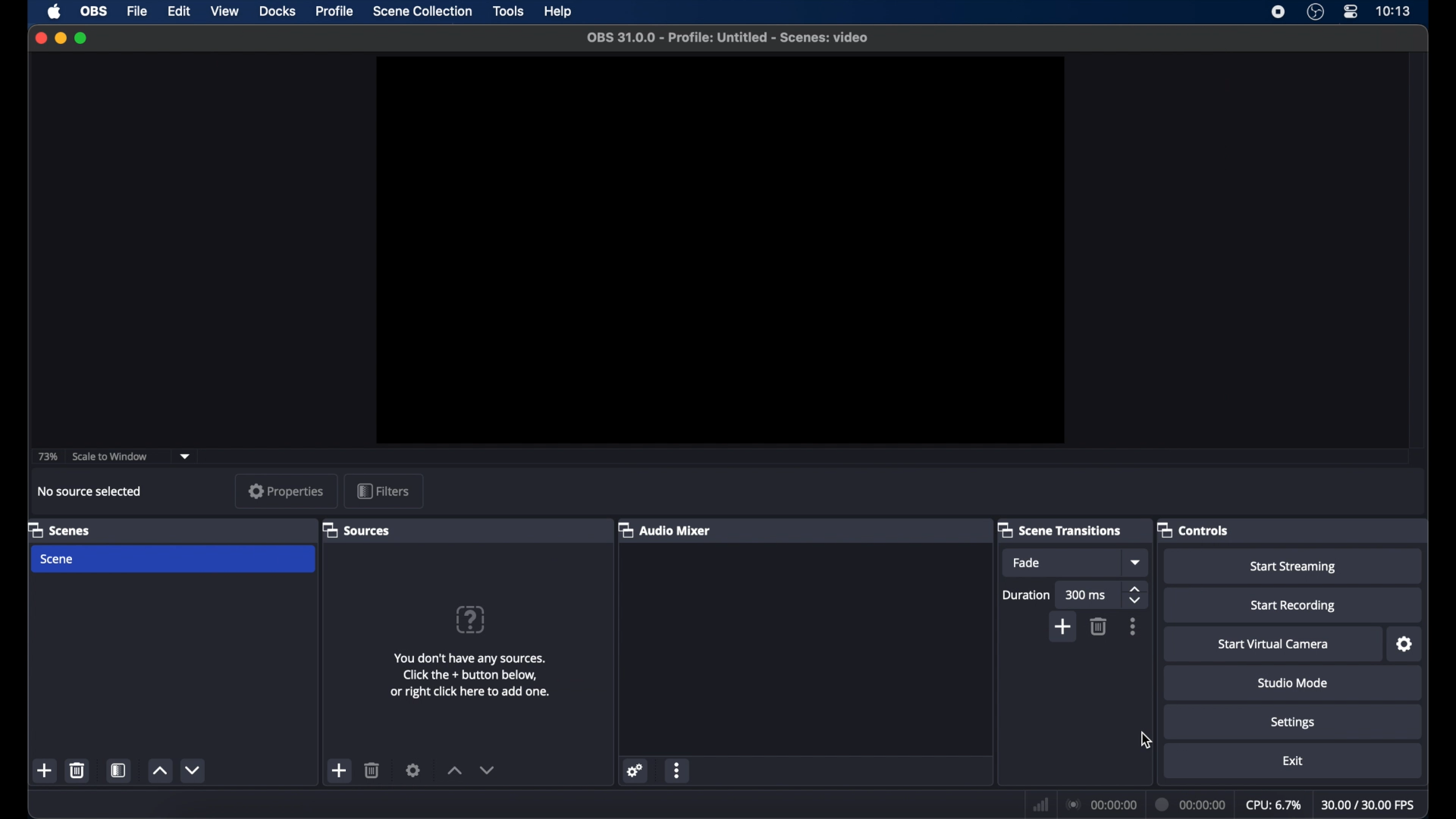 This screenshot has width=1456, height=819. I want to click on maximize, so click(83, 38).